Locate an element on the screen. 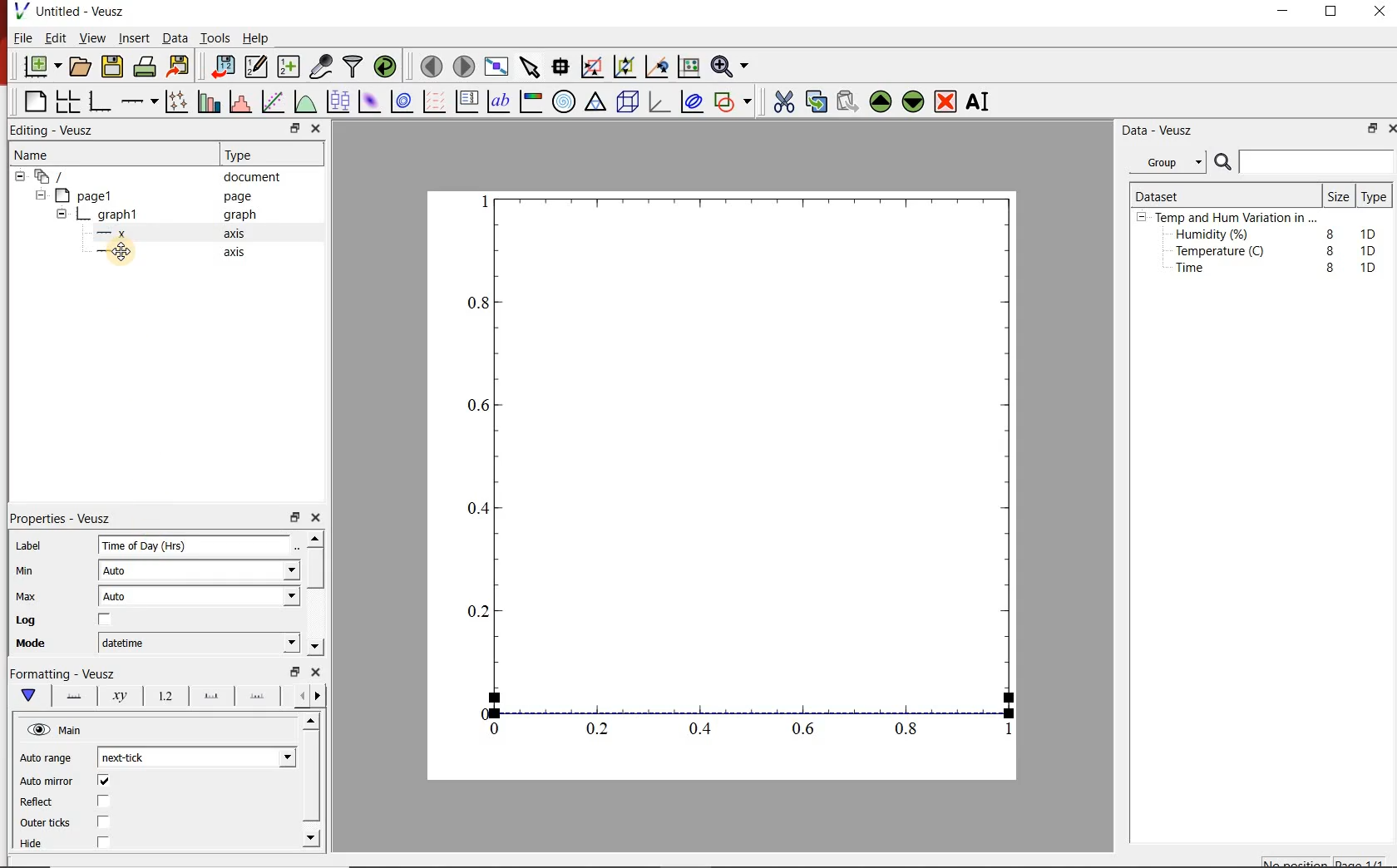  close is located at coordinates (321, 518).